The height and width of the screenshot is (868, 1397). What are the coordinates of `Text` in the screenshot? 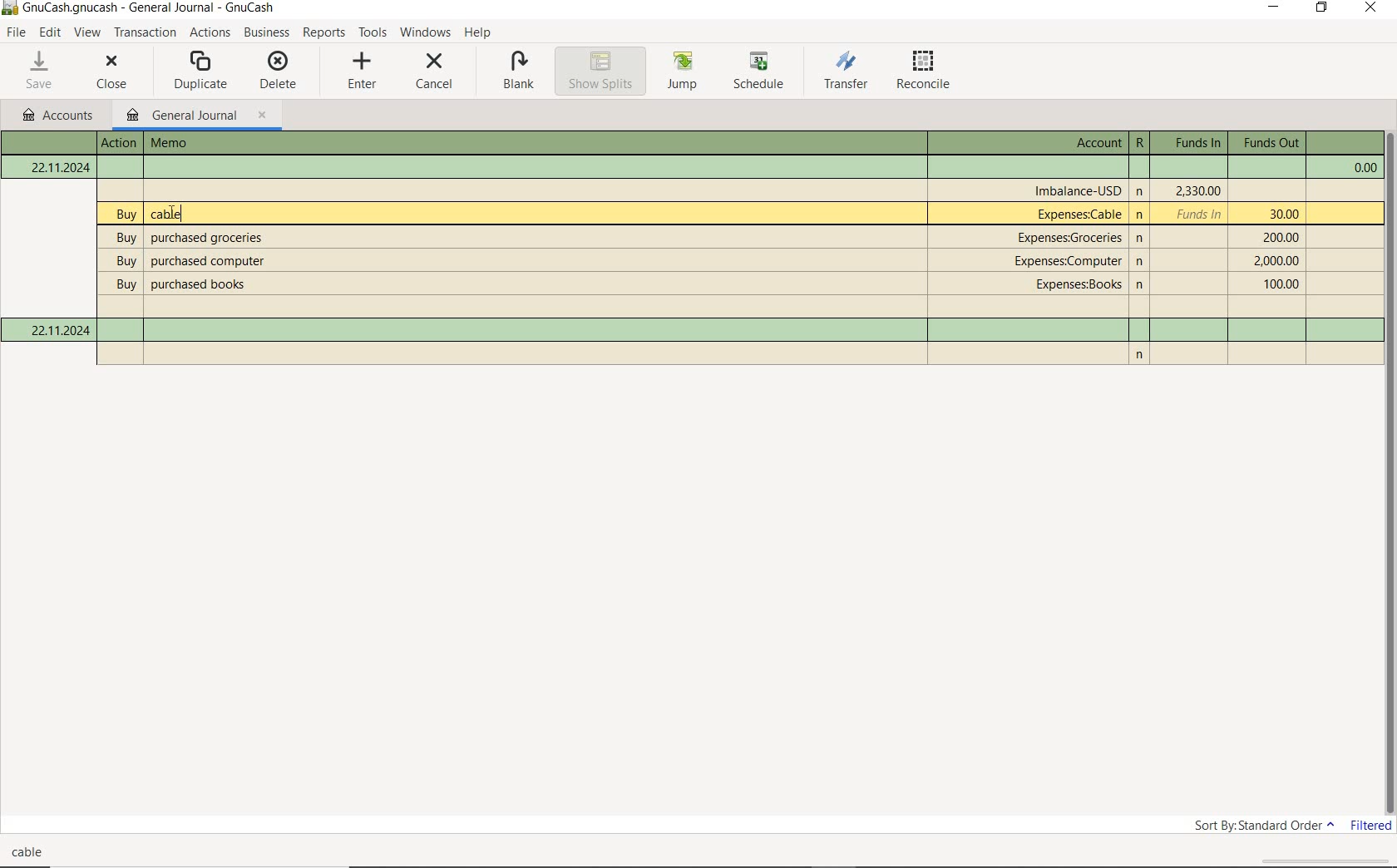 It's located at (1268, 143).